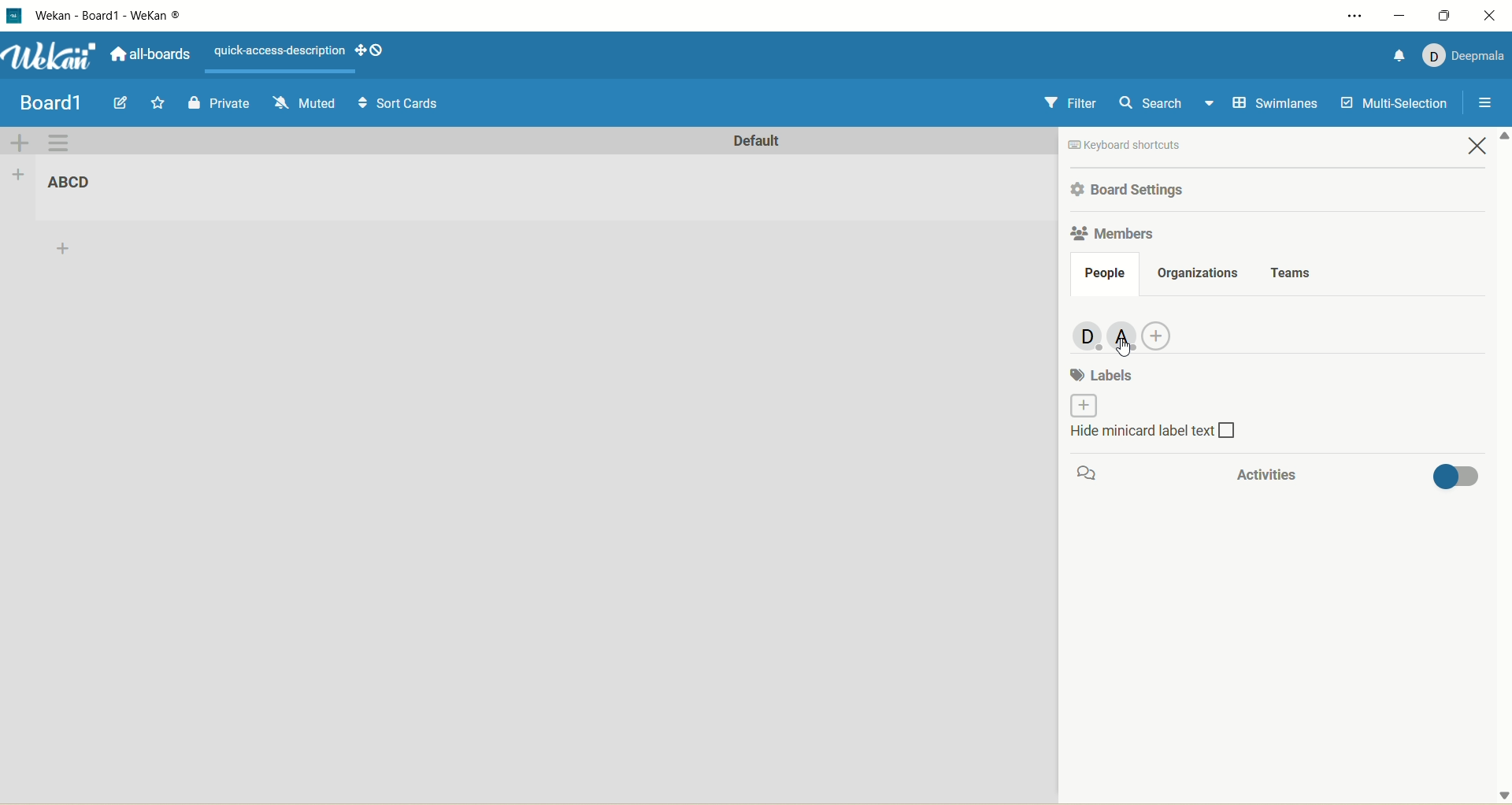 Image resolution: width=1512 pixels, height=805 pixels. I want to click on close/open sidebar, so click(1483, 106).